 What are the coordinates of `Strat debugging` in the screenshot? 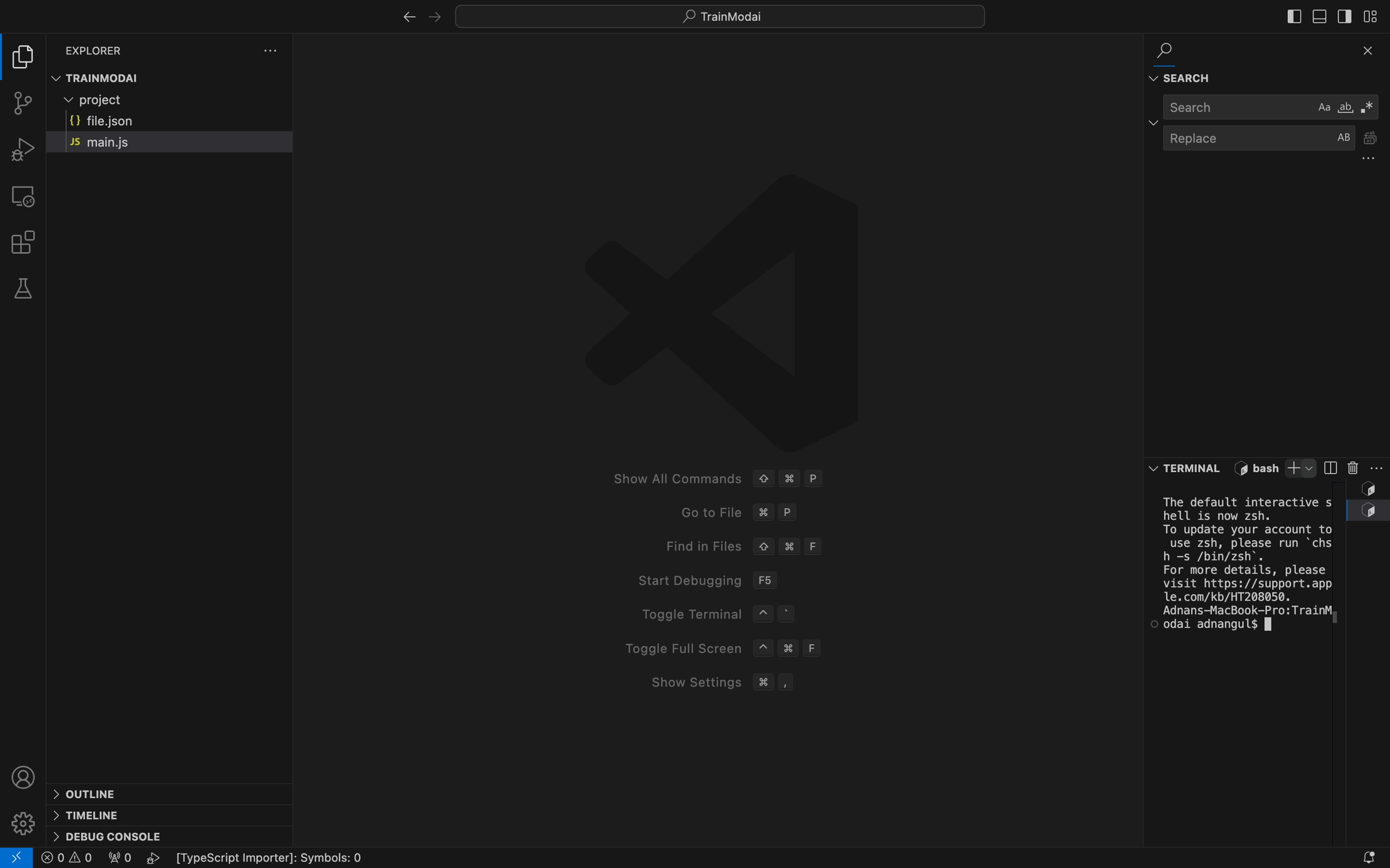 It's located at (773, 580).